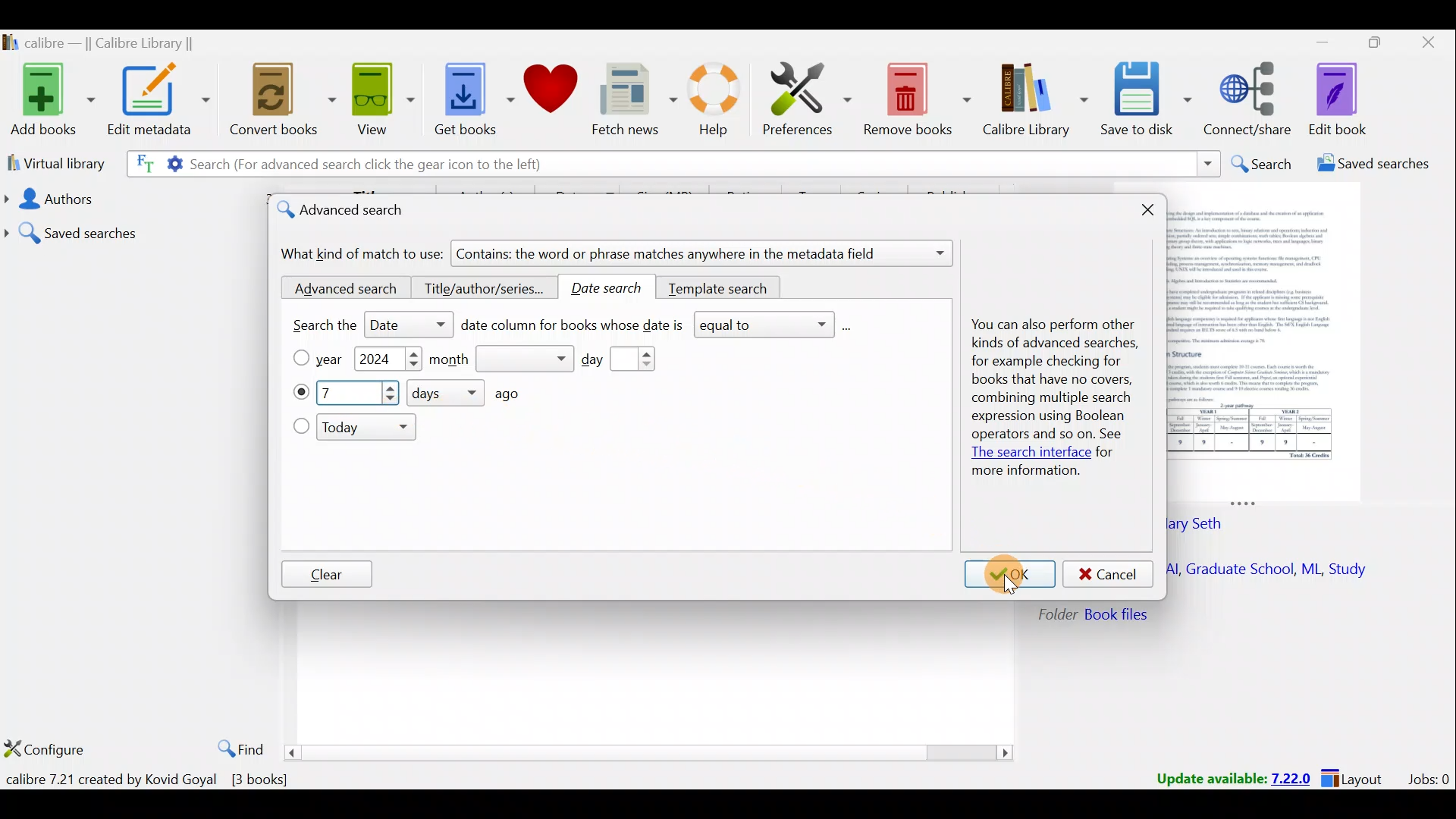 The height and width of the screenshot is (819, 1456). Describe the element at coordinates (162, 102) in the screenshot. I see `Edit metadata` at that location.